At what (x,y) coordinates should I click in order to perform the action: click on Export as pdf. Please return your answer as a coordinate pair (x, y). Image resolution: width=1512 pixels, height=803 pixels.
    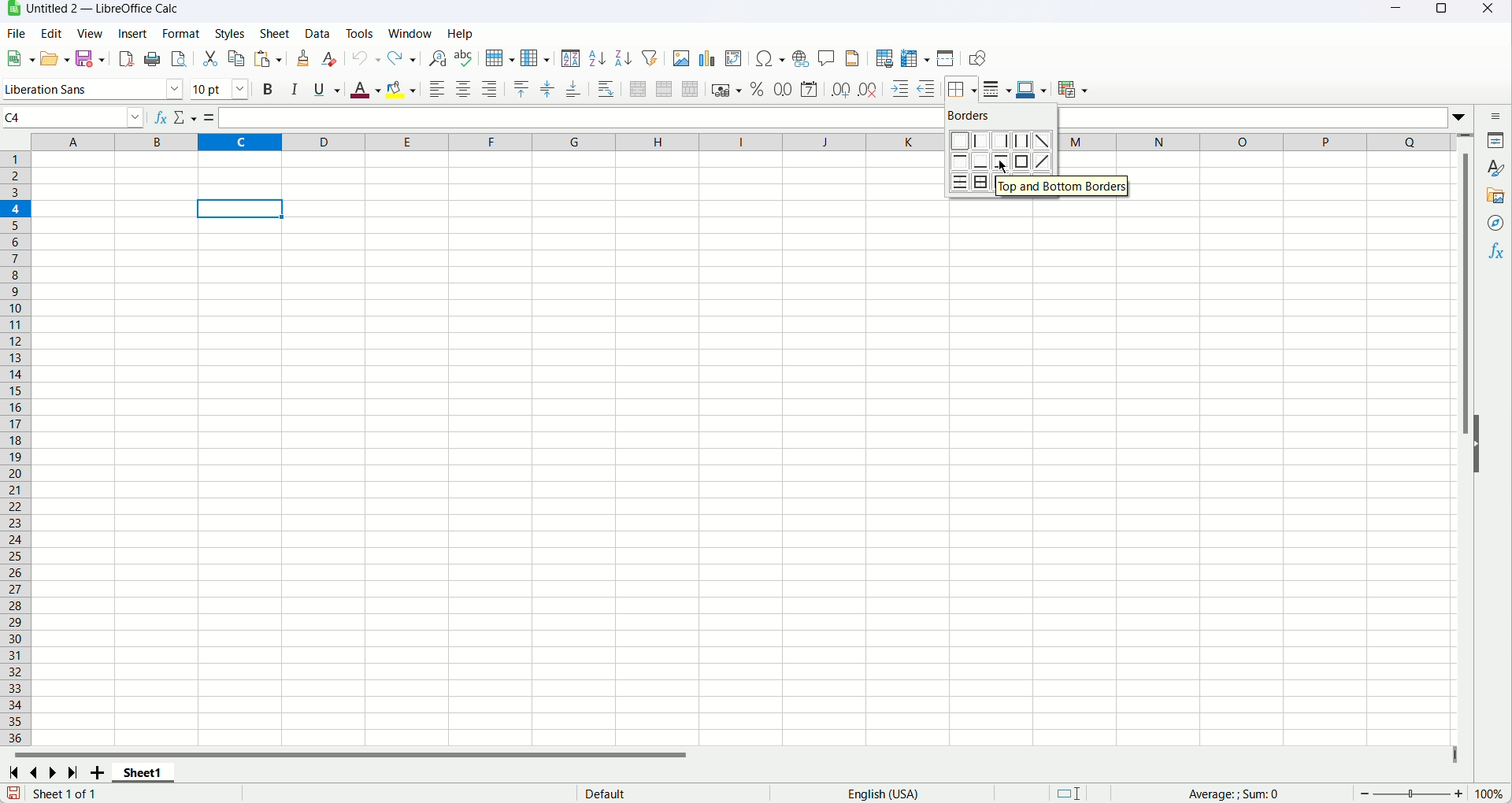
    Looking at the image, I should click on (126, 58).